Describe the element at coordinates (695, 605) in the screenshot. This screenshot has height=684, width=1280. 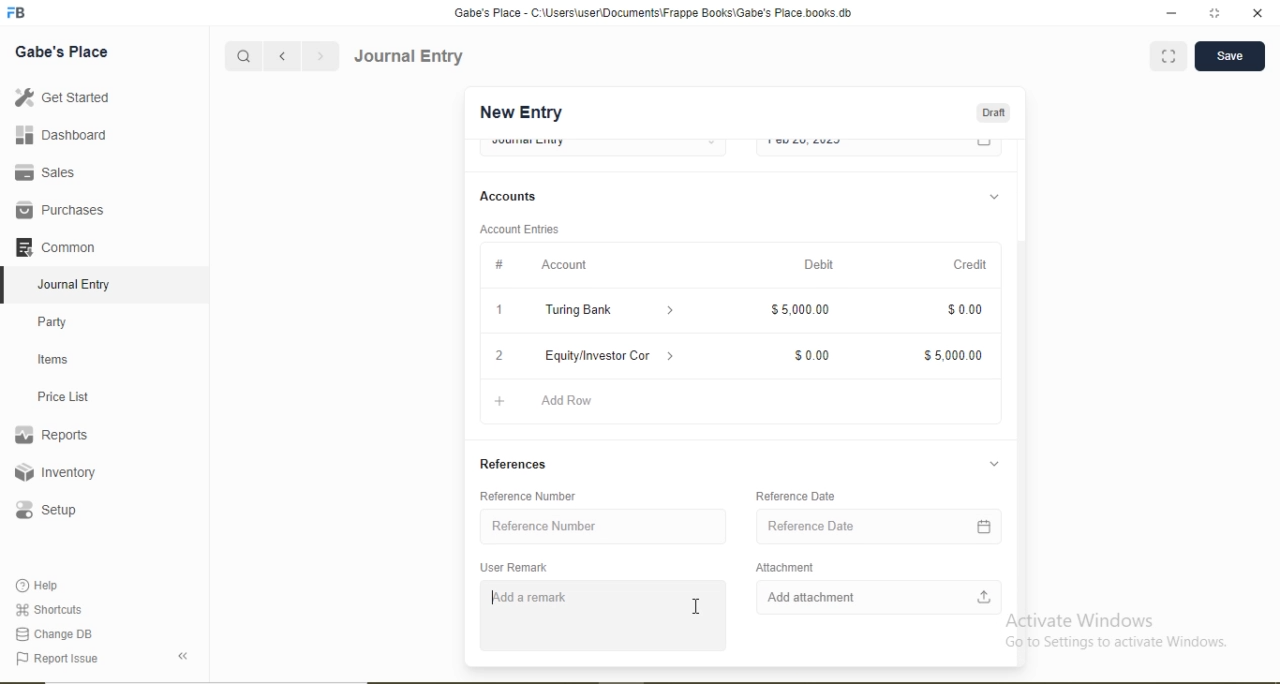
I see `Cursor` at that location.